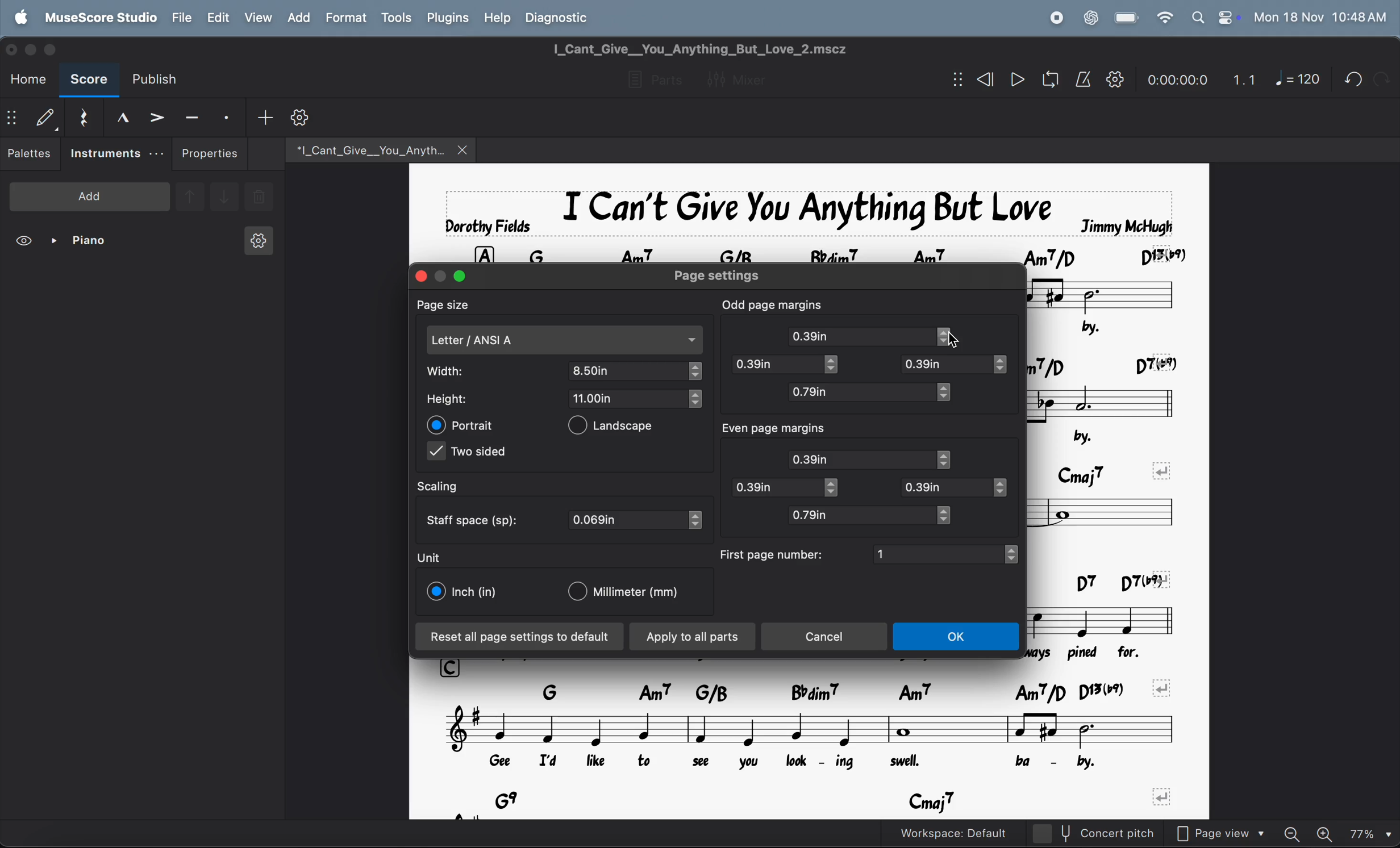  Describe the element at coordinates (189, 195) in the screenshot. I see `uptone` at that location.